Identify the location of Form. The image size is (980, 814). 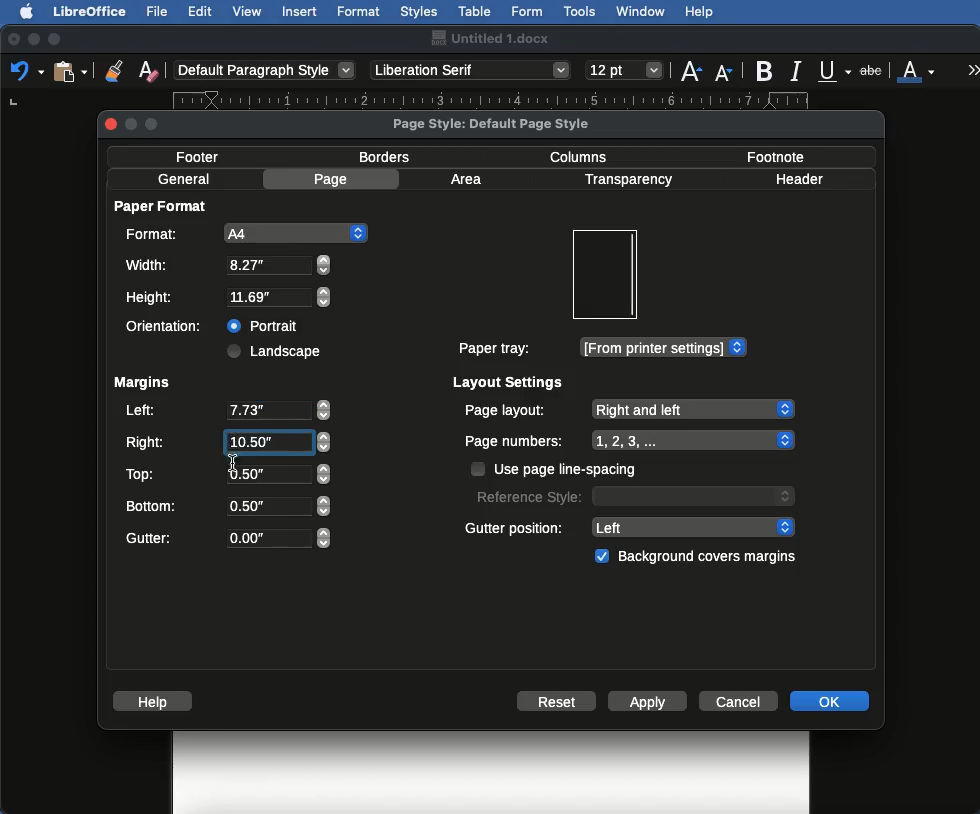
(527, 12).